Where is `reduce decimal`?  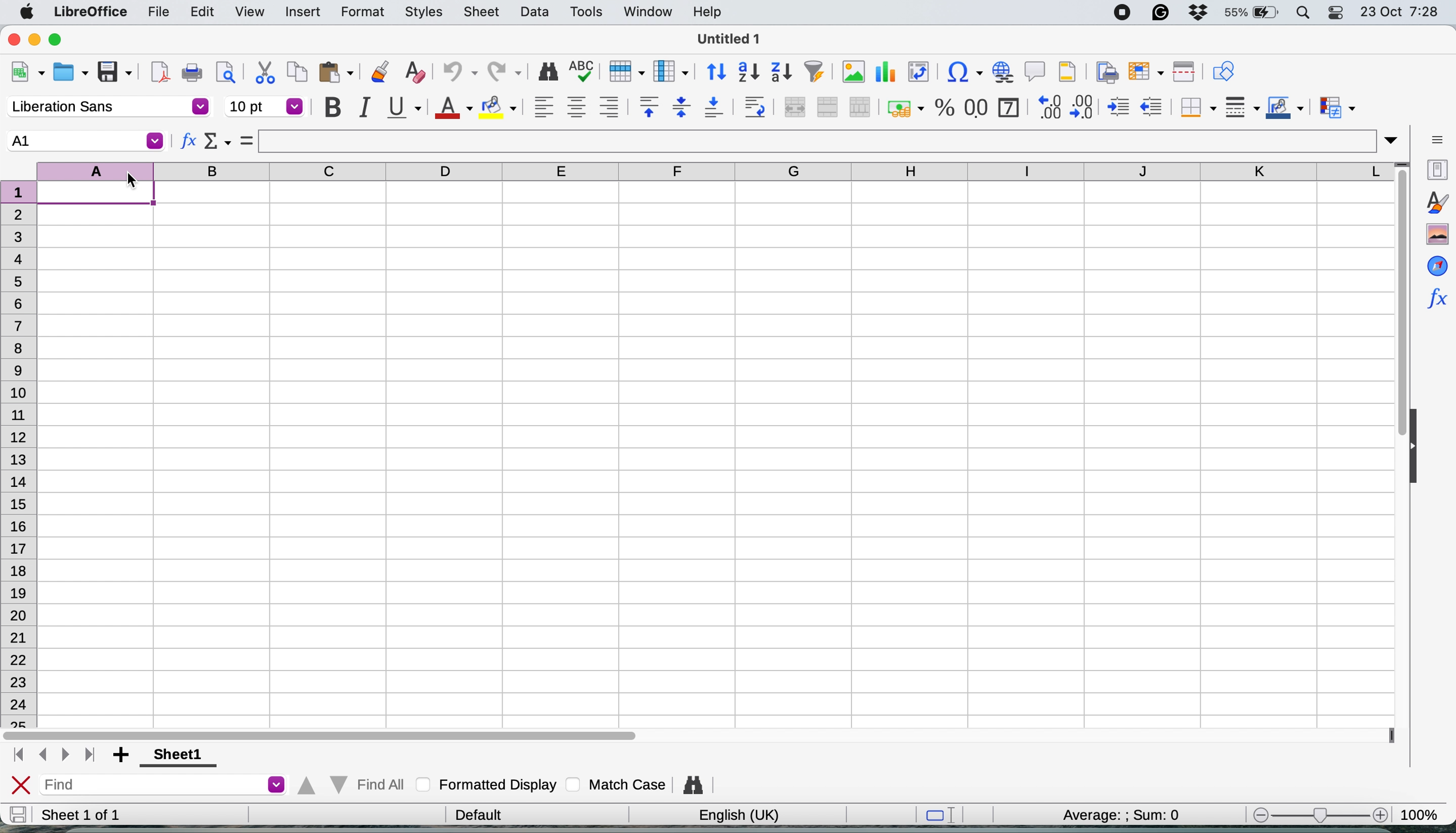
reduce decimal is located at coordinates (1084, 106).